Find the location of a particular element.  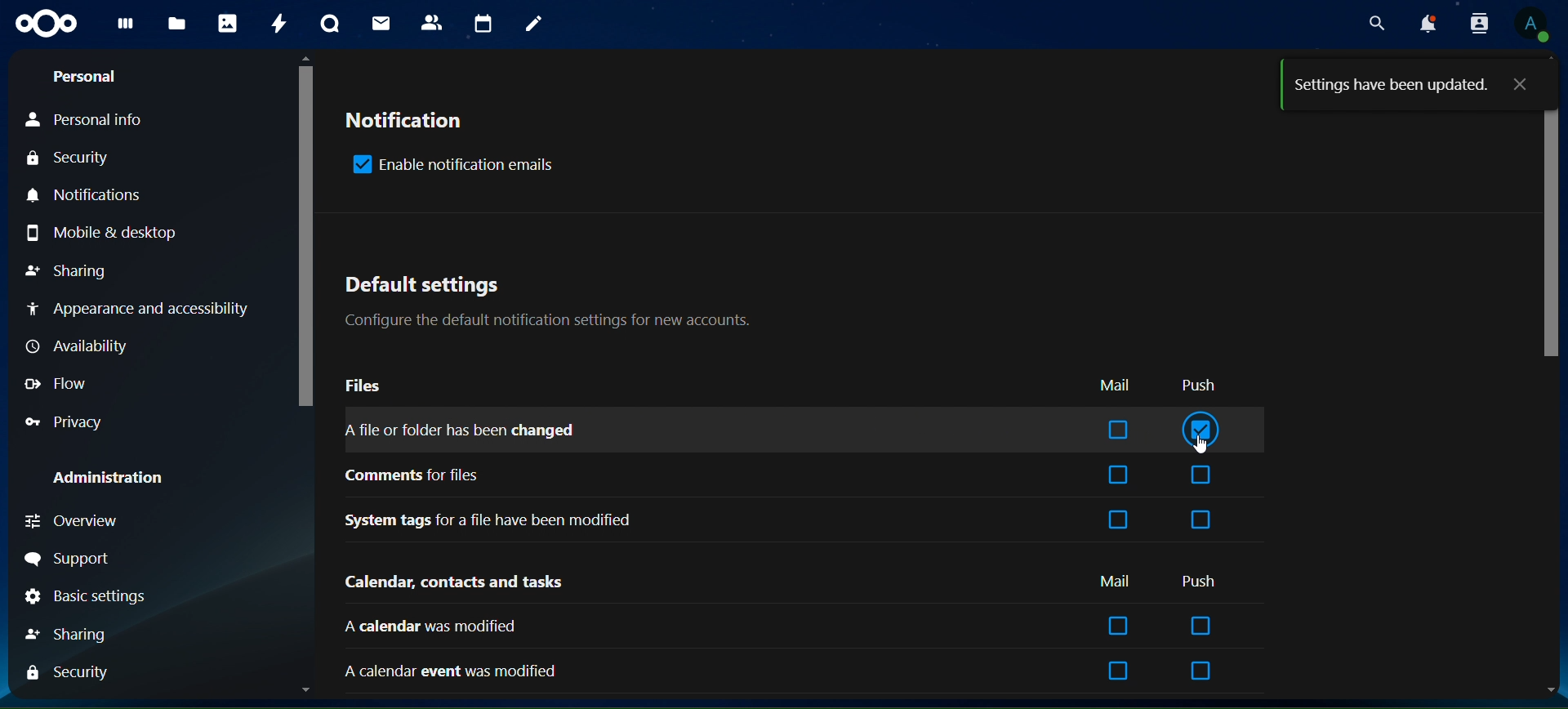

push is located at coordinates (1205, 386).